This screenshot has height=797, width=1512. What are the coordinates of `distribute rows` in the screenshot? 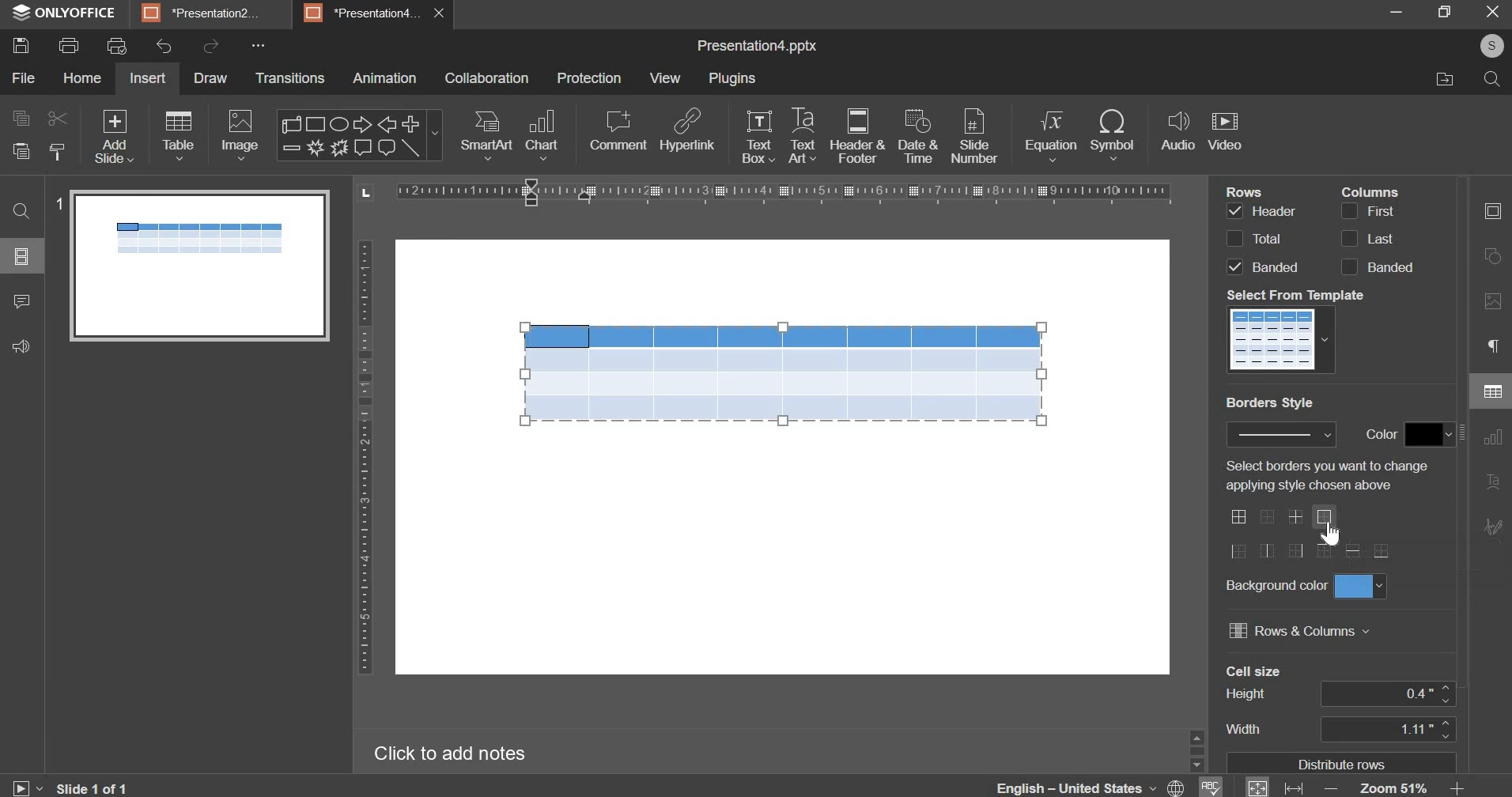 It's located at (1339, 761).